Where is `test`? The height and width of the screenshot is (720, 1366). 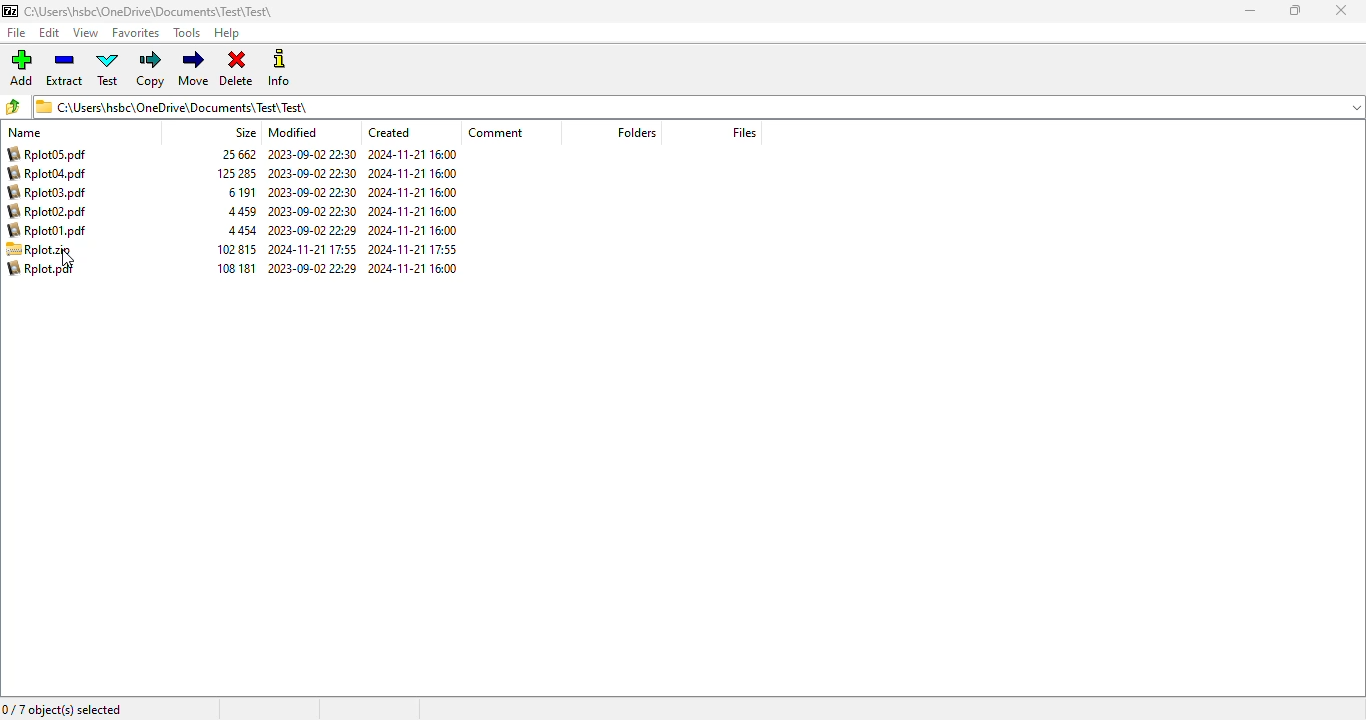 test is located at coordinates (108, 68).